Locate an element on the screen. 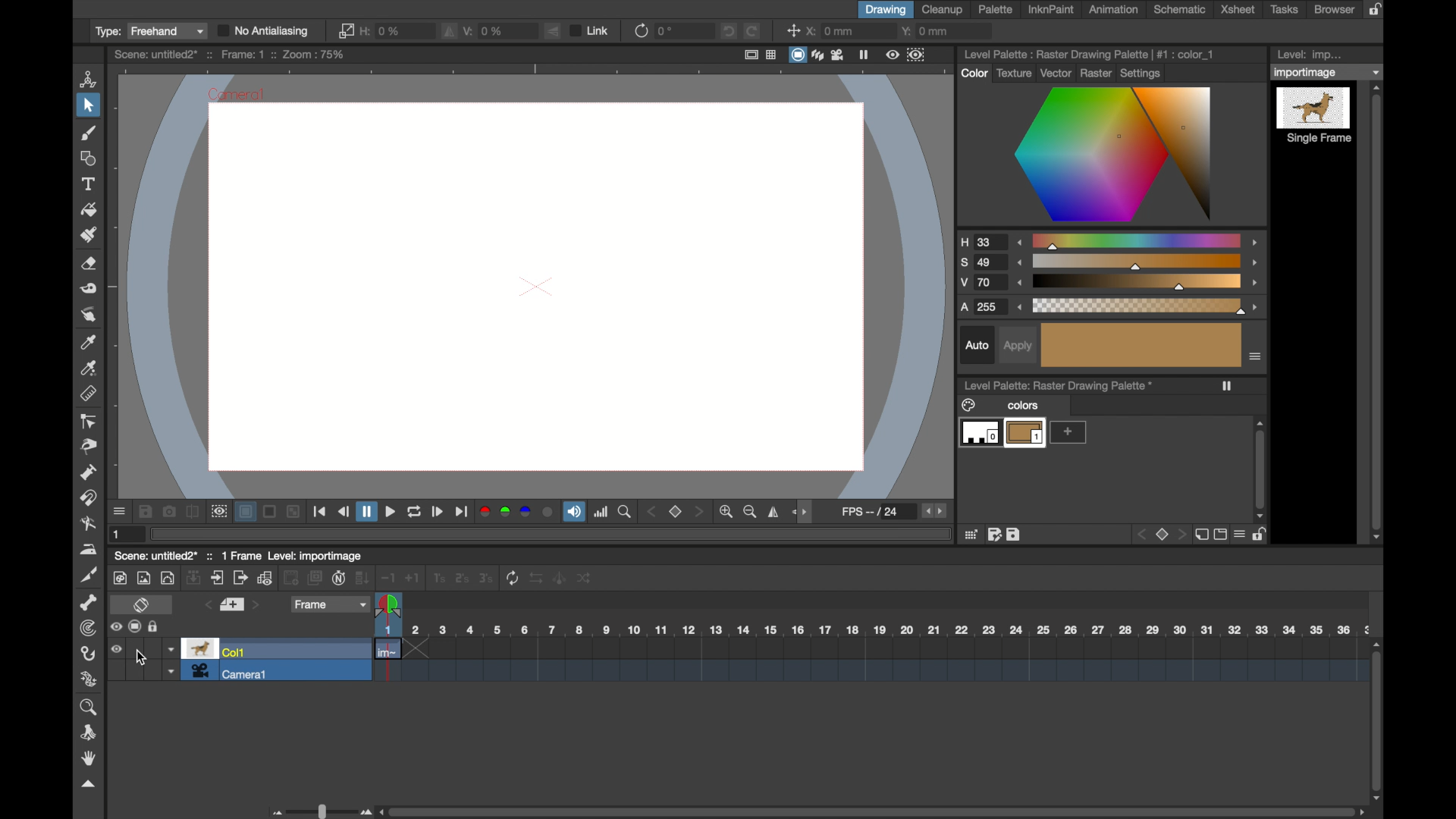 This screenshot has width=1456, height=819. frame is located at coordinates (331, 604).